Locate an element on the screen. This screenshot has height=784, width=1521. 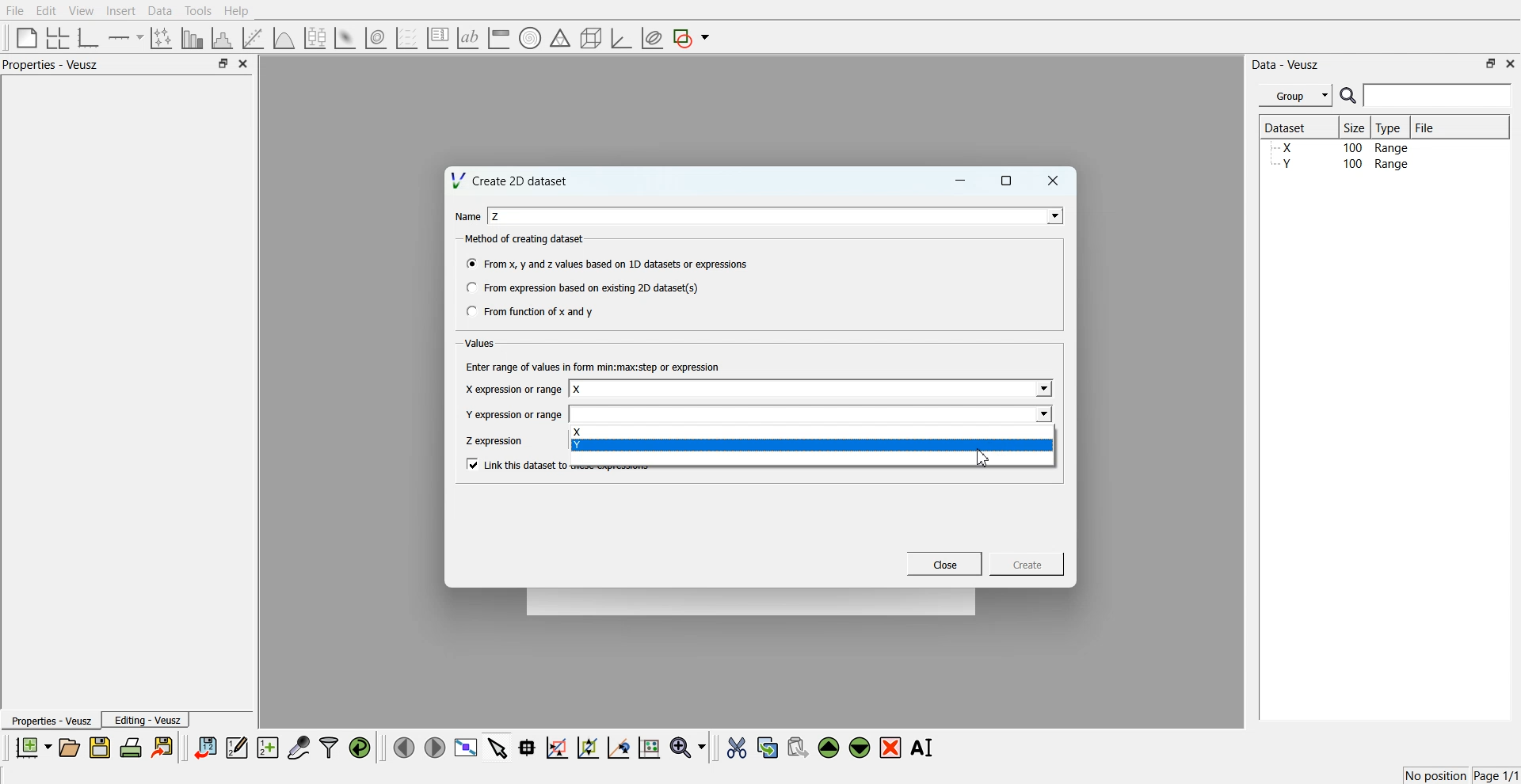
X is located at coordinates (812, 432).